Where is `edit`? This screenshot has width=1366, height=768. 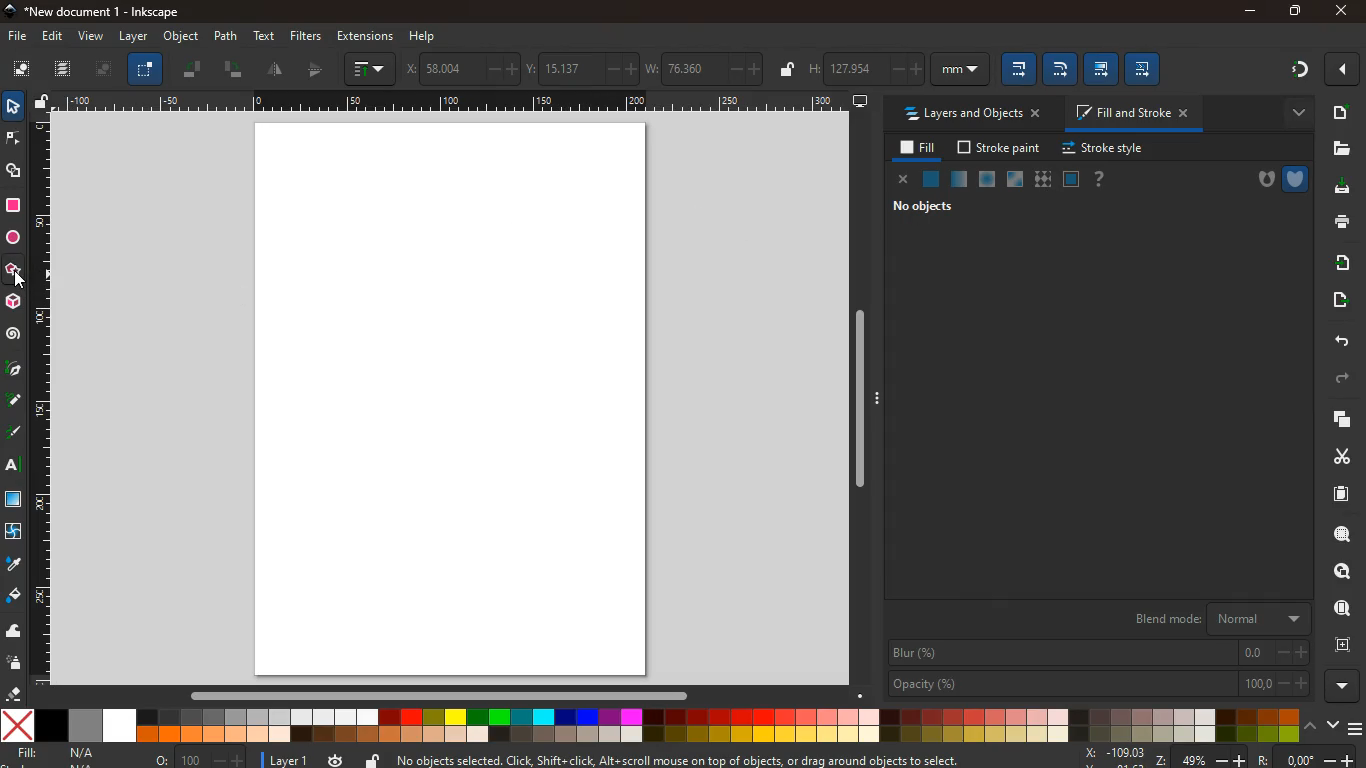
edit is located at coordinates (1146, 70).